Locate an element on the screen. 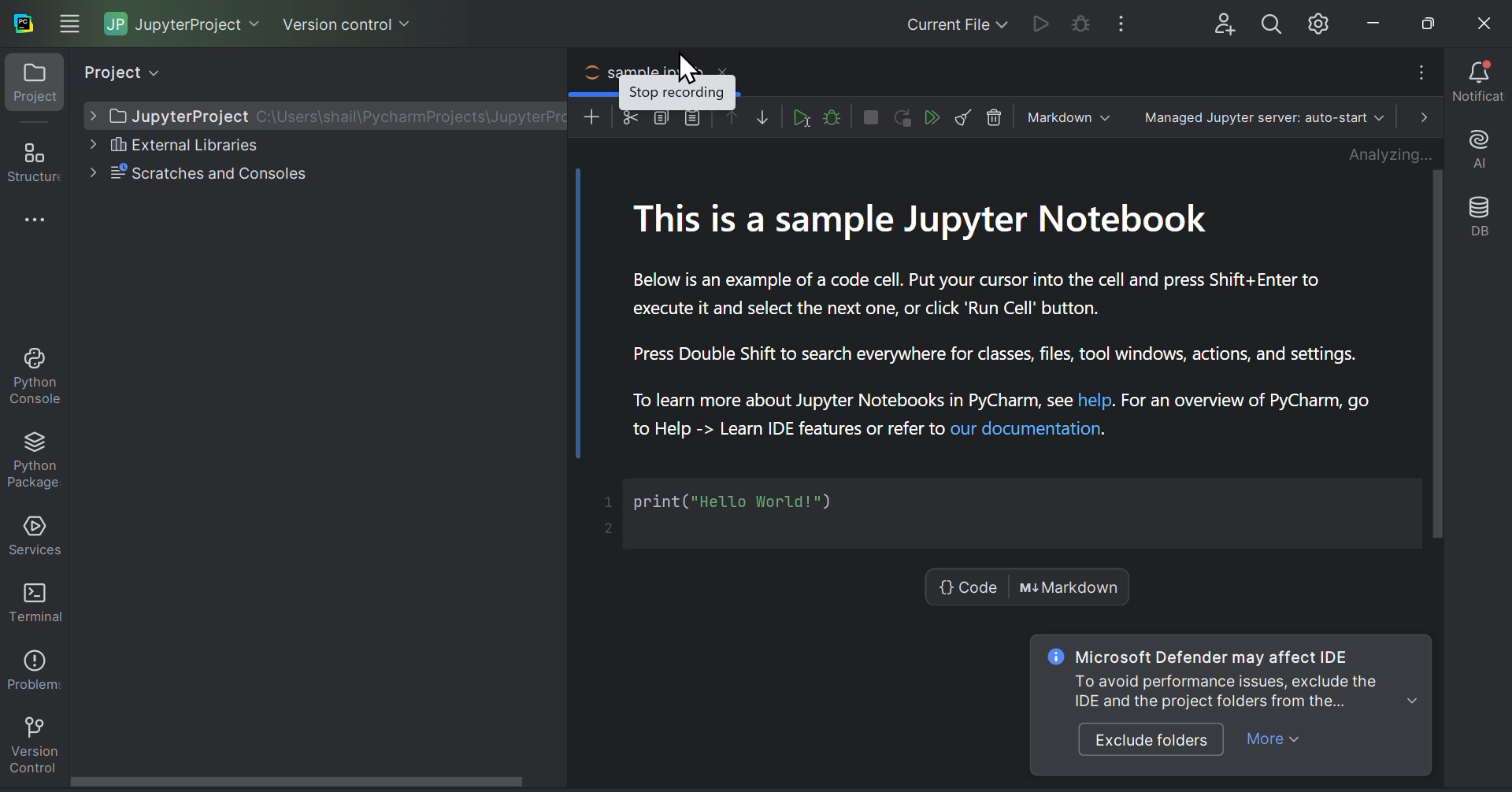 This screenshot has width=1512, height=792. stop recording is located at coordinates (676, 93).